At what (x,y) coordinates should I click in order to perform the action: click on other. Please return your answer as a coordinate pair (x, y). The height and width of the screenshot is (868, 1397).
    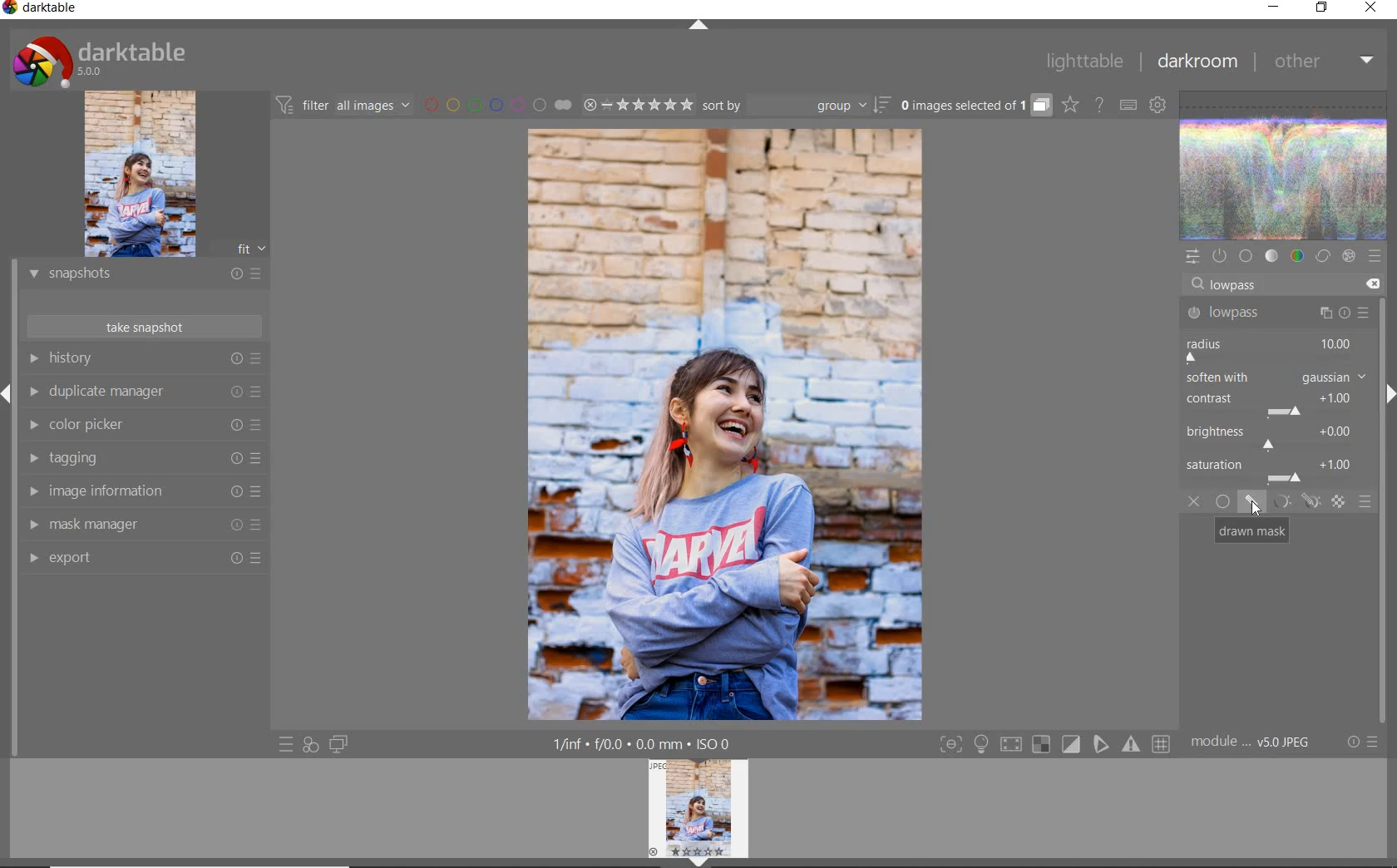
    Looking at the image, I should click on (1323, 65).